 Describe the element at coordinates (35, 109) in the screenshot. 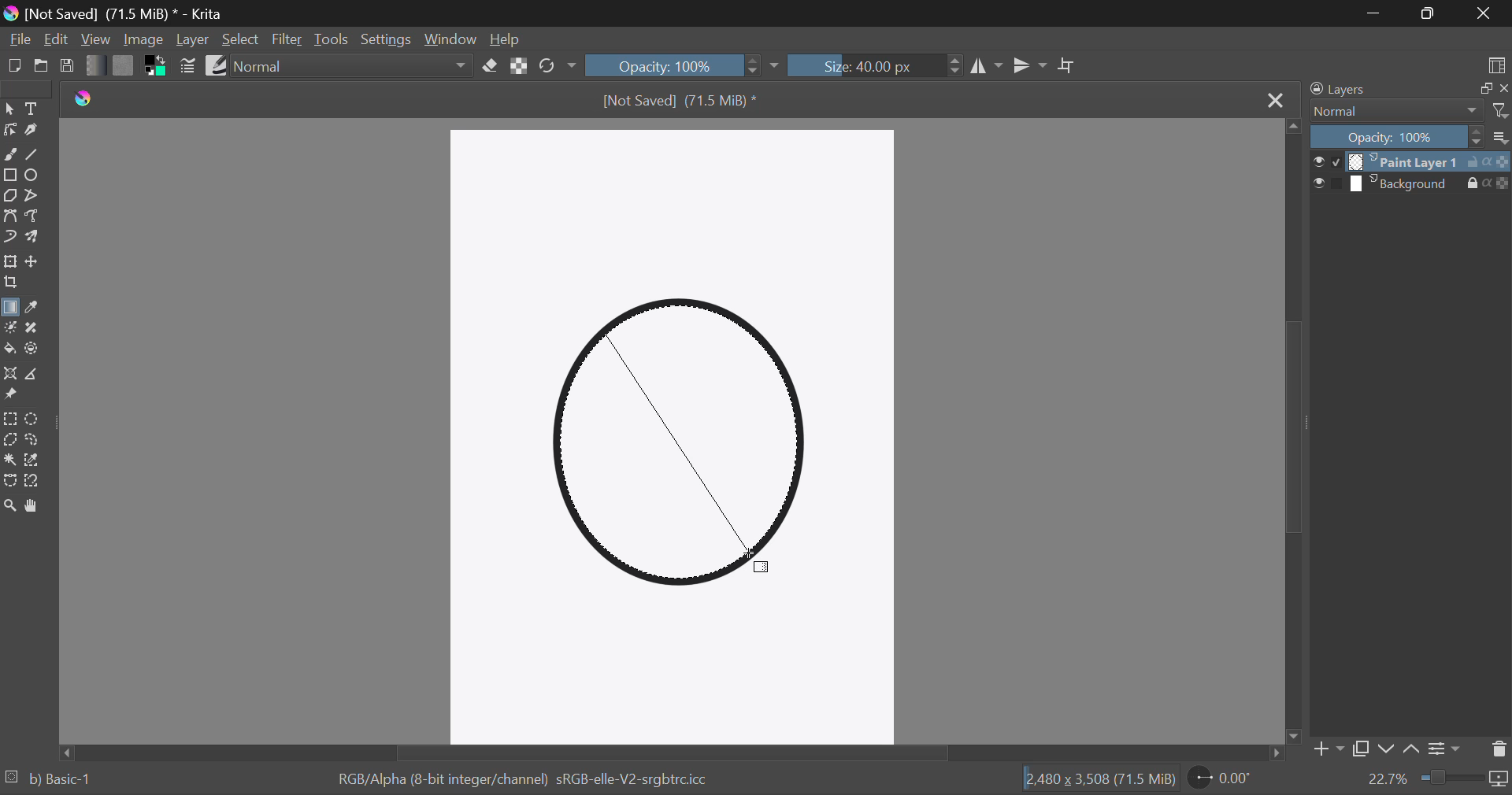

I see `Text` at that location.